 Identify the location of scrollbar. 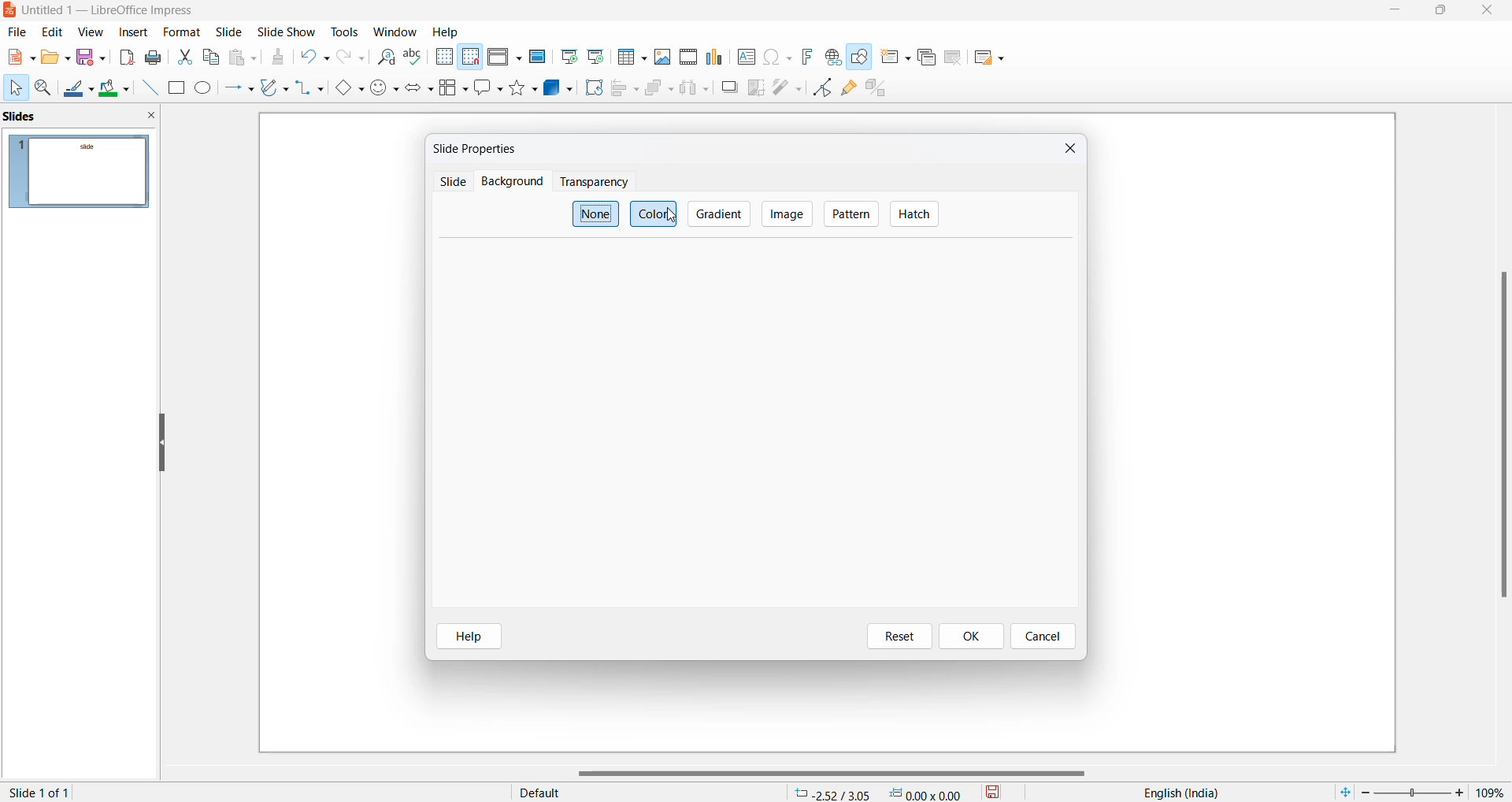
(839, 774).